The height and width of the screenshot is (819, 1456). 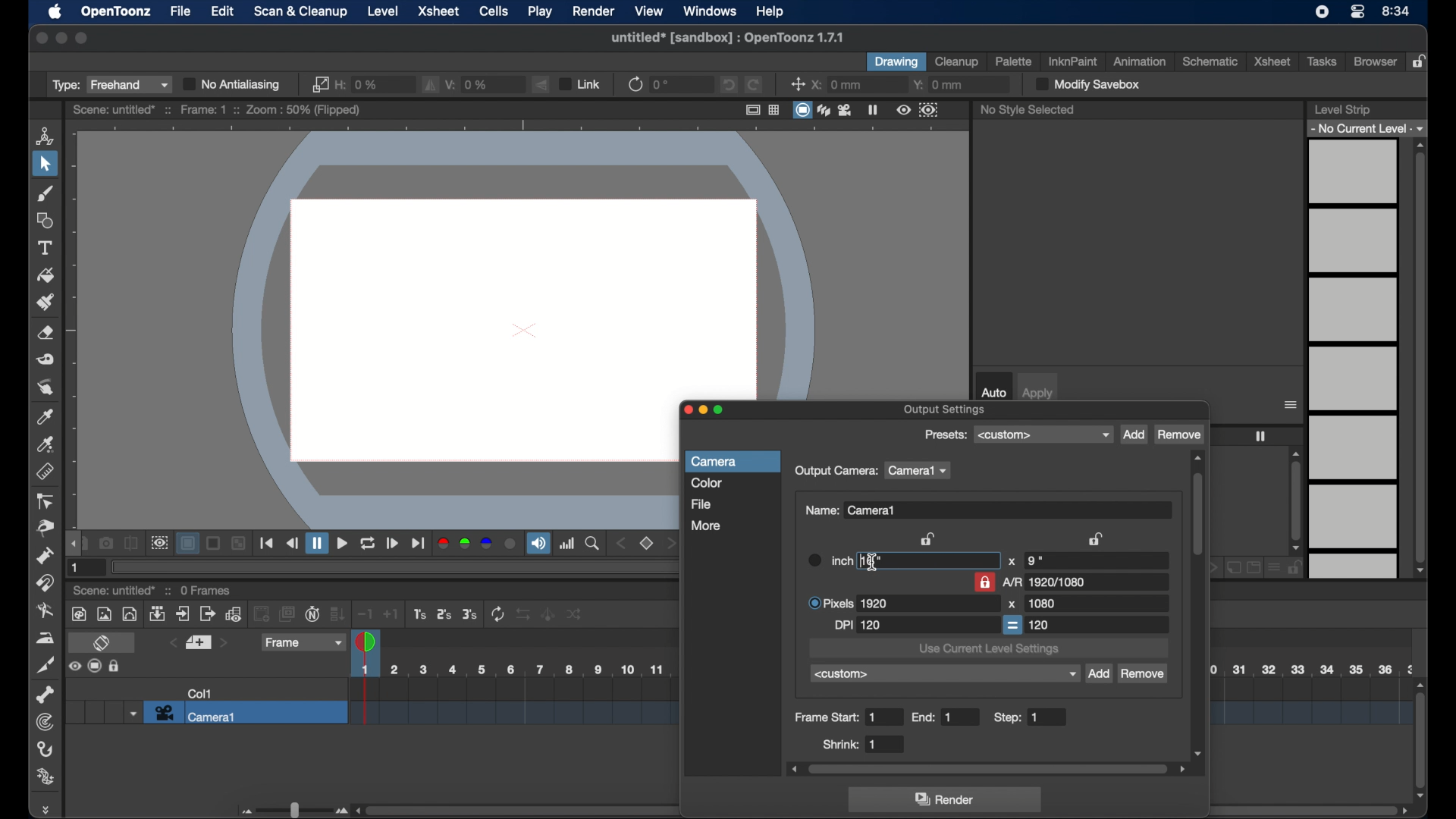 What do you see at coordinates (1020, 717) in the screenshot?
I see `step` at bounding box center [1020, 717].